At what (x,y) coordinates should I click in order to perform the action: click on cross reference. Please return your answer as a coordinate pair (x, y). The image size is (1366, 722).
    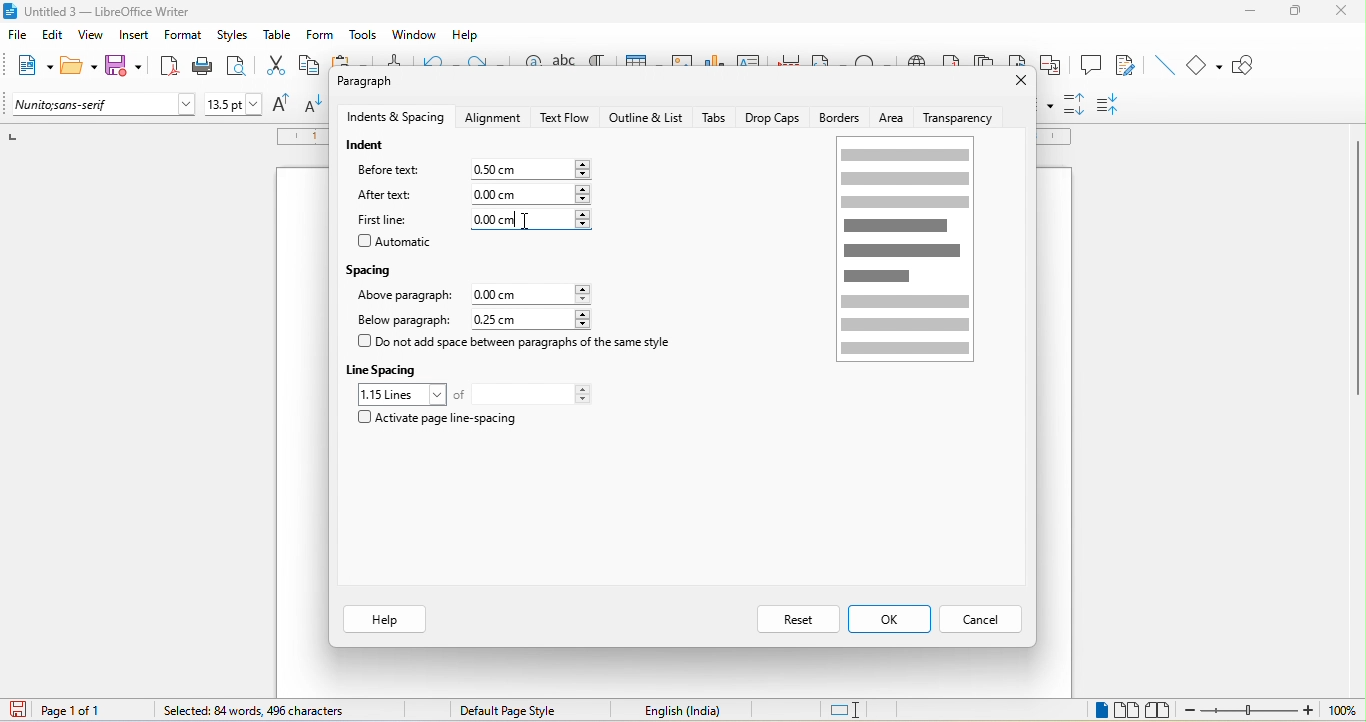
    Looking at the image, I should click on (1055, 65).